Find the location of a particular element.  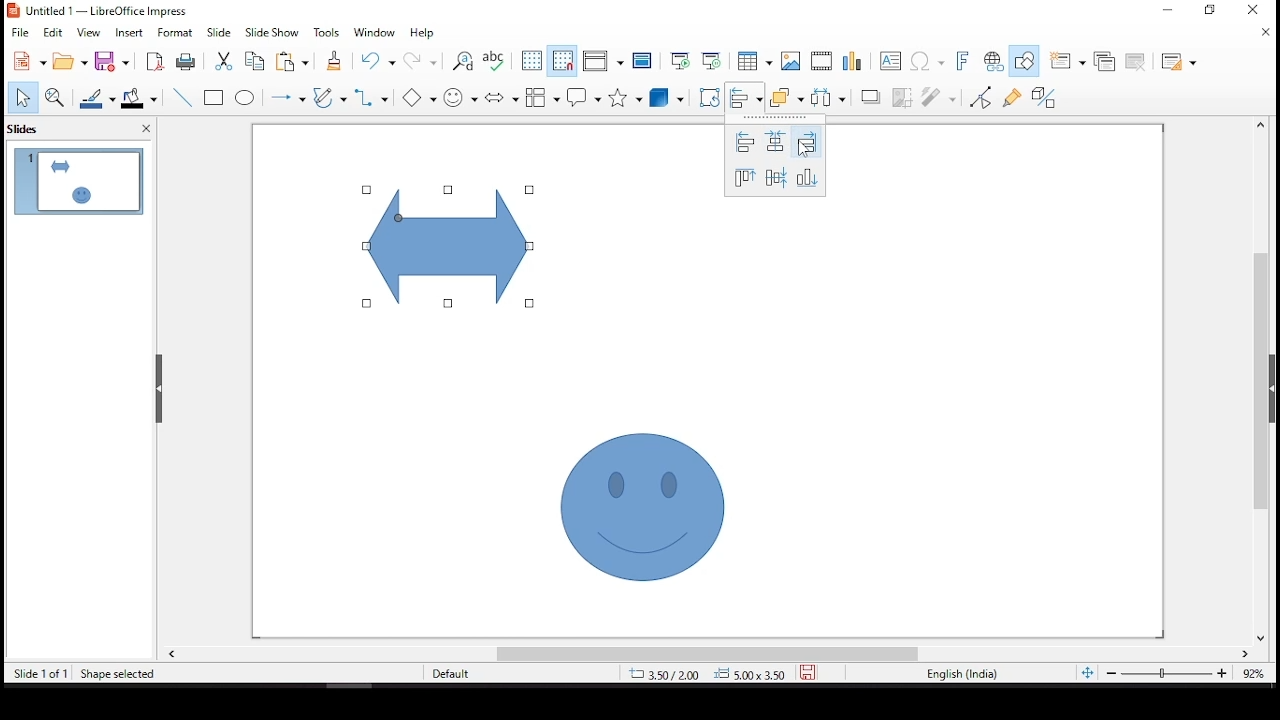

align right is located at coordinates (807, 143).